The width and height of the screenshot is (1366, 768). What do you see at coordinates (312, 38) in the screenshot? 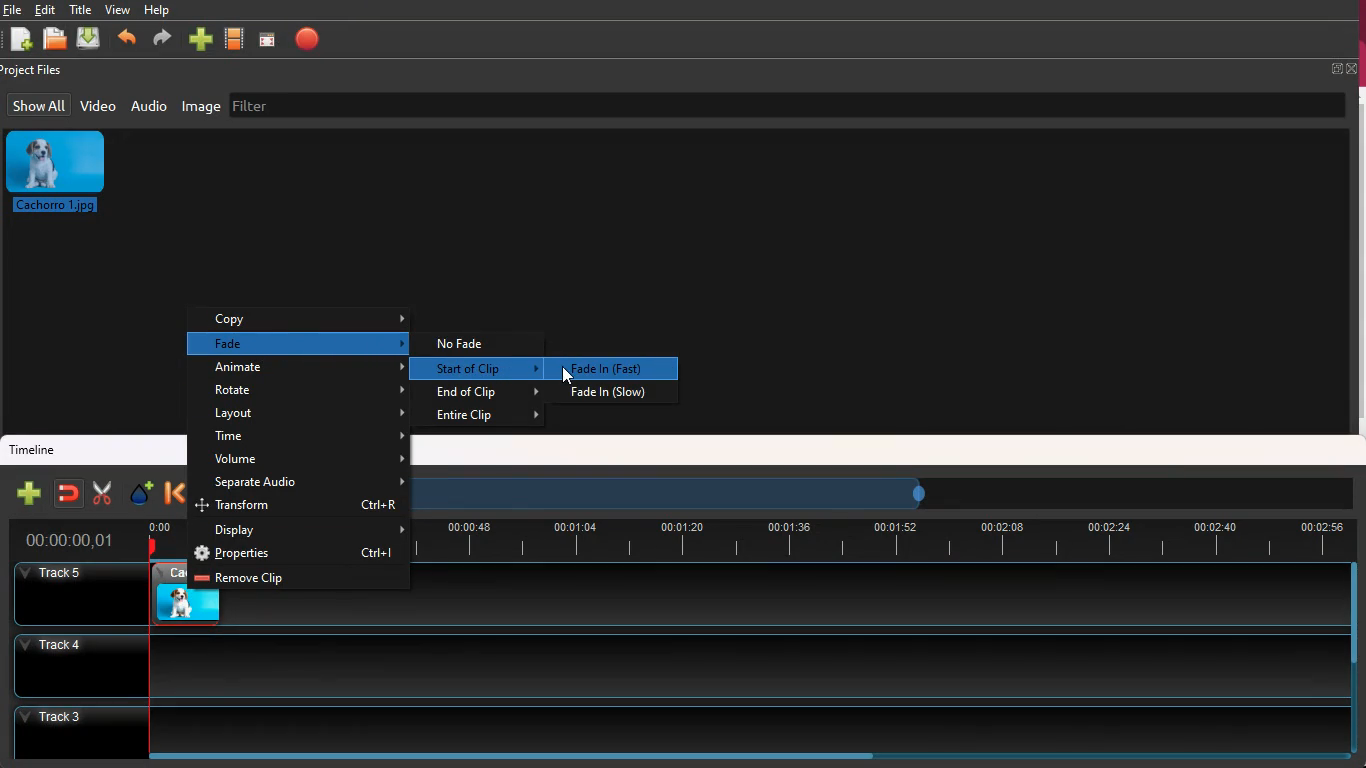
I see `stop` at bounding box center [312, 38].